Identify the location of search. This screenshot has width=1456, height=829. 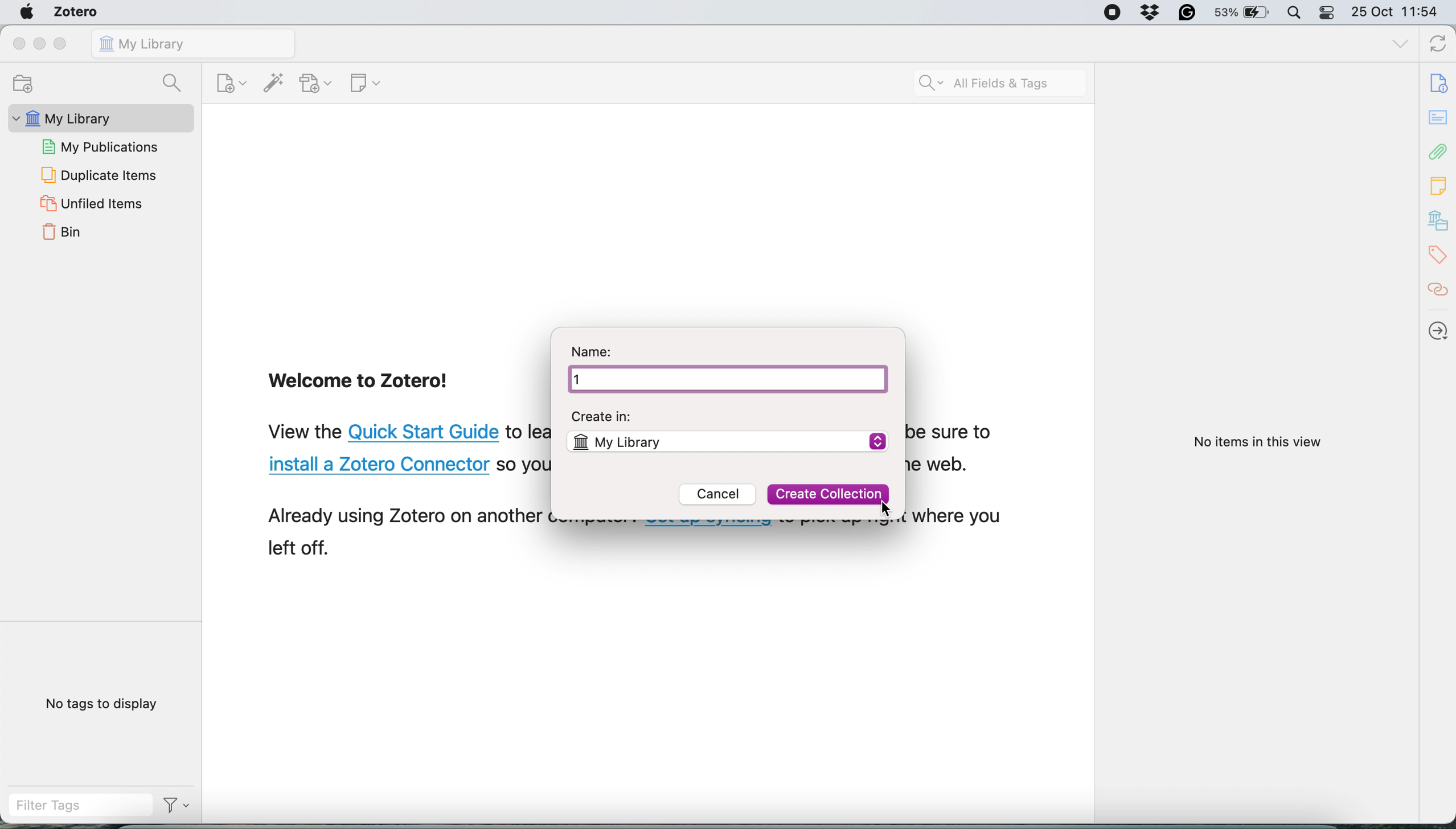
(1000, 83).